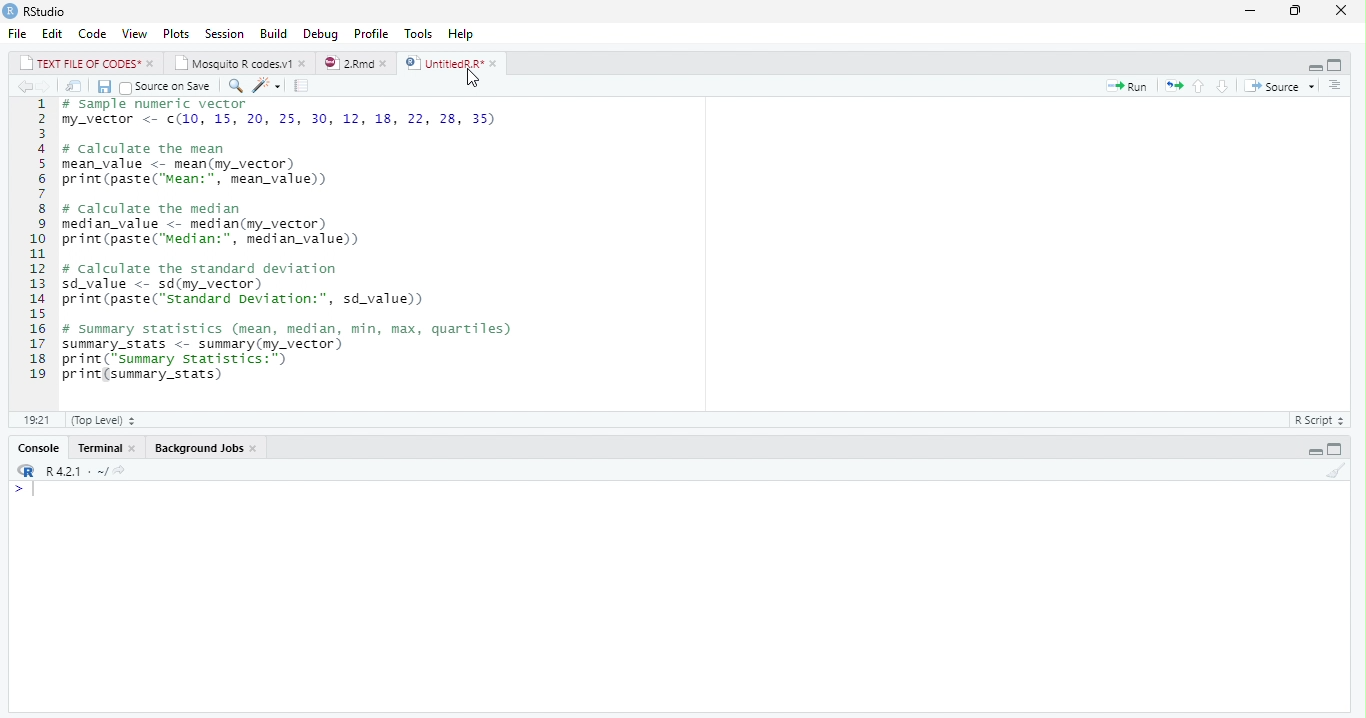 Image resolution: width=1366 pixels, height=718 pixels. I want to click on (top level), so click(103, 420).